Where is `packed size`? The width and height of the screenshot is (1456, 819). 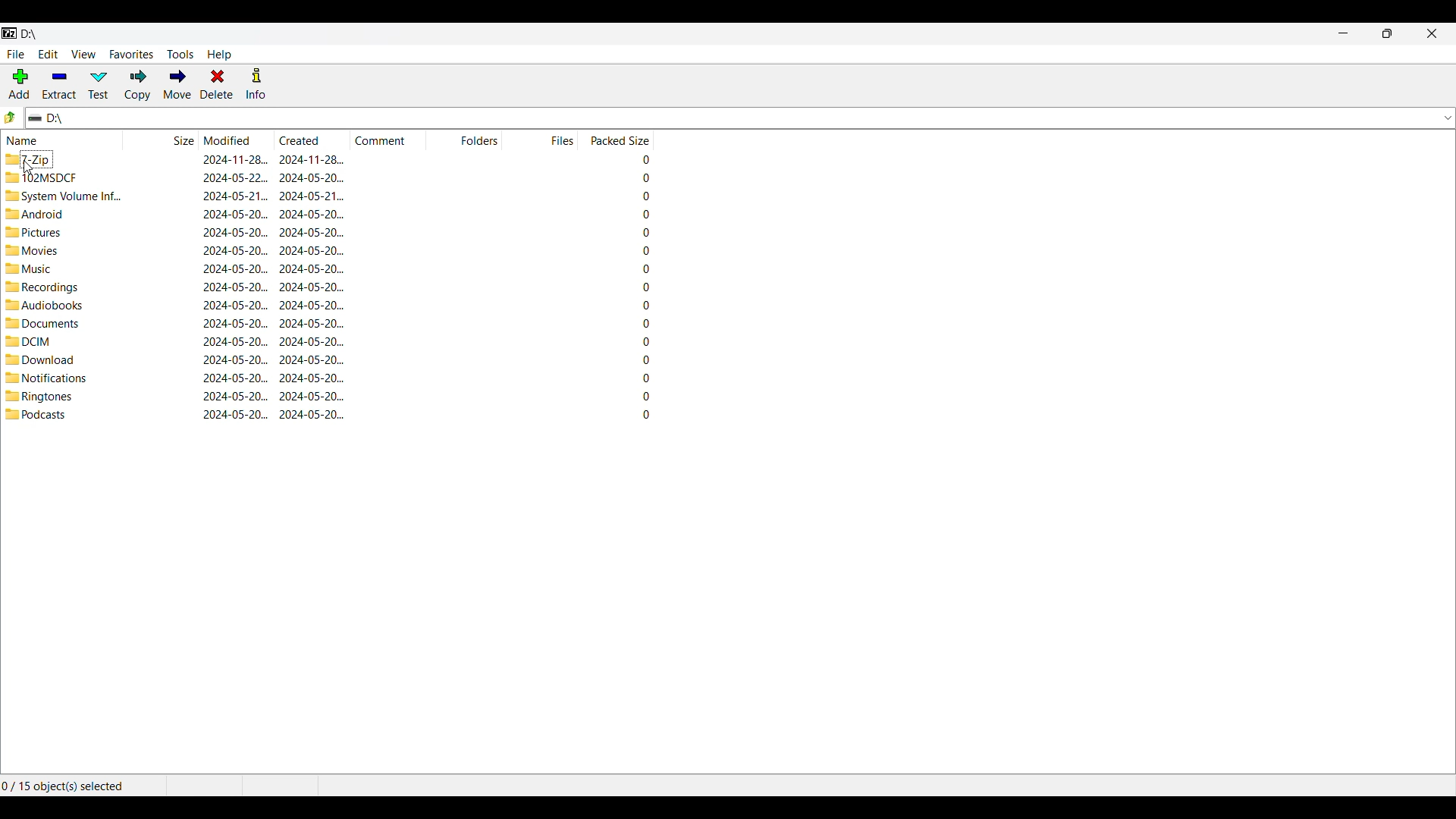 packed size is located at coordinates (643, 233).